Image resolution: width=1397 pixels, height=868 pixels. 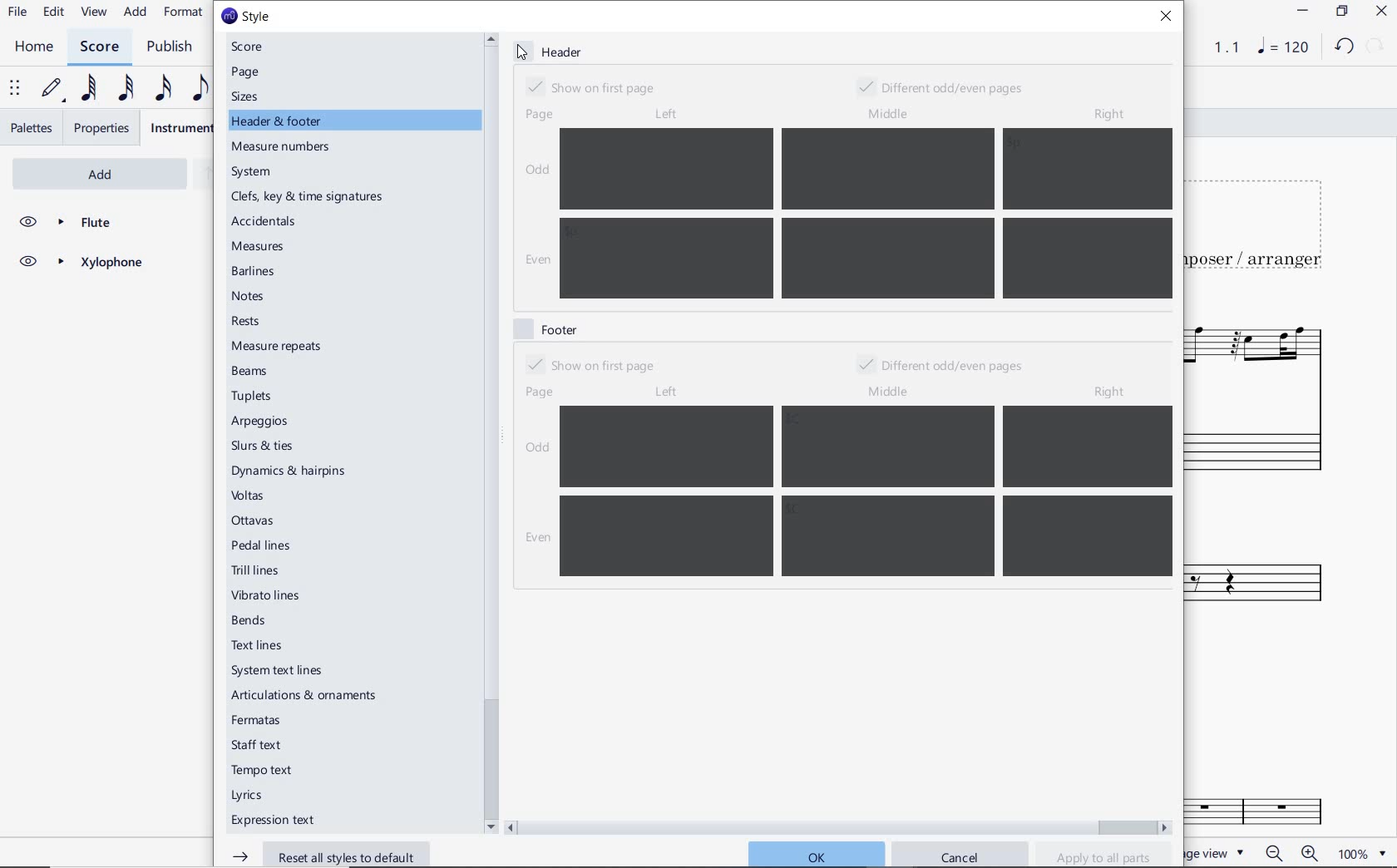 I want to click on page, so click(x=536, y=116).